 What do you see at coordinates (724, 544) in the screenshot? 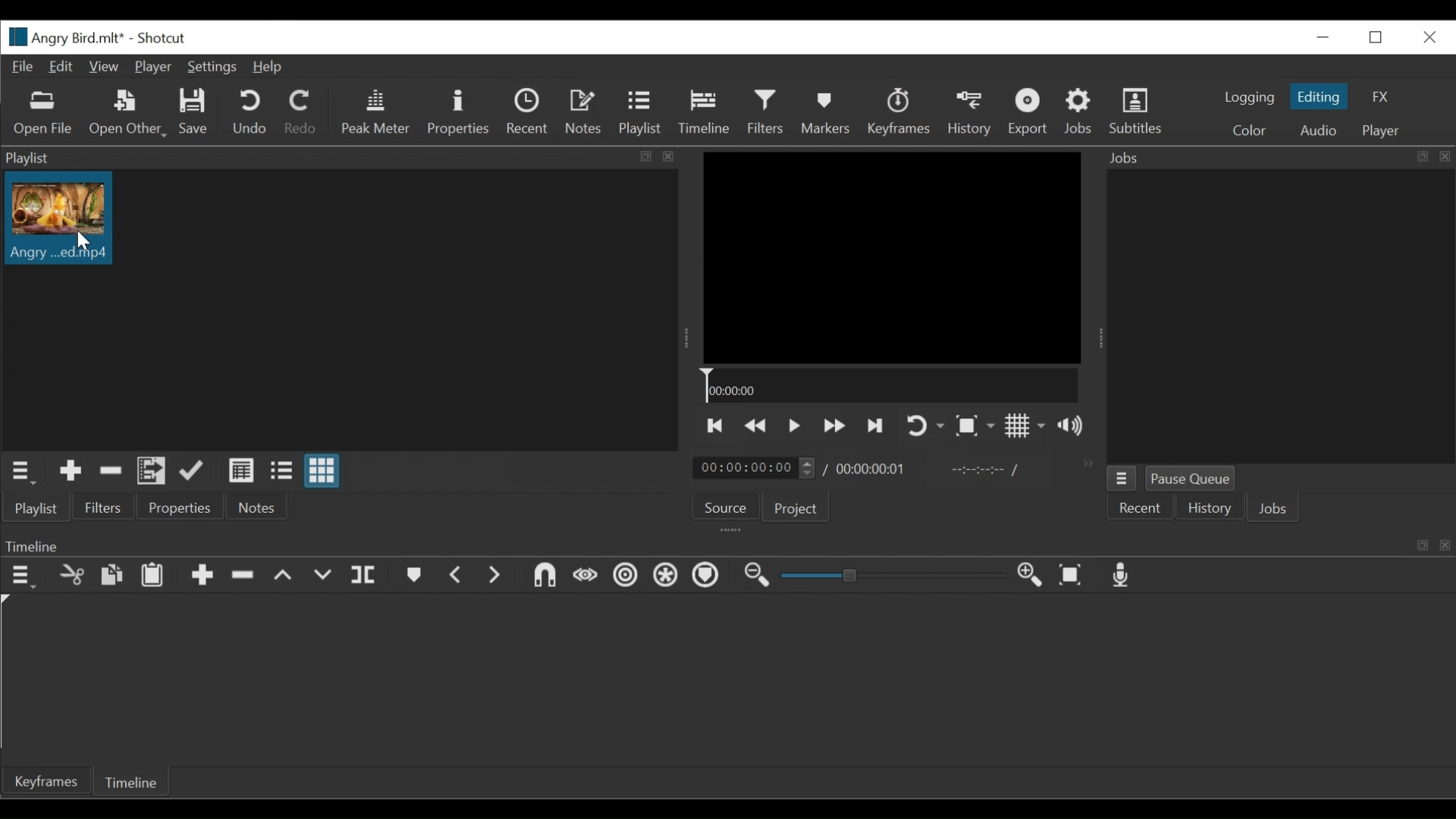
I see `Timeline Panel` at bounding box center [724, 544].